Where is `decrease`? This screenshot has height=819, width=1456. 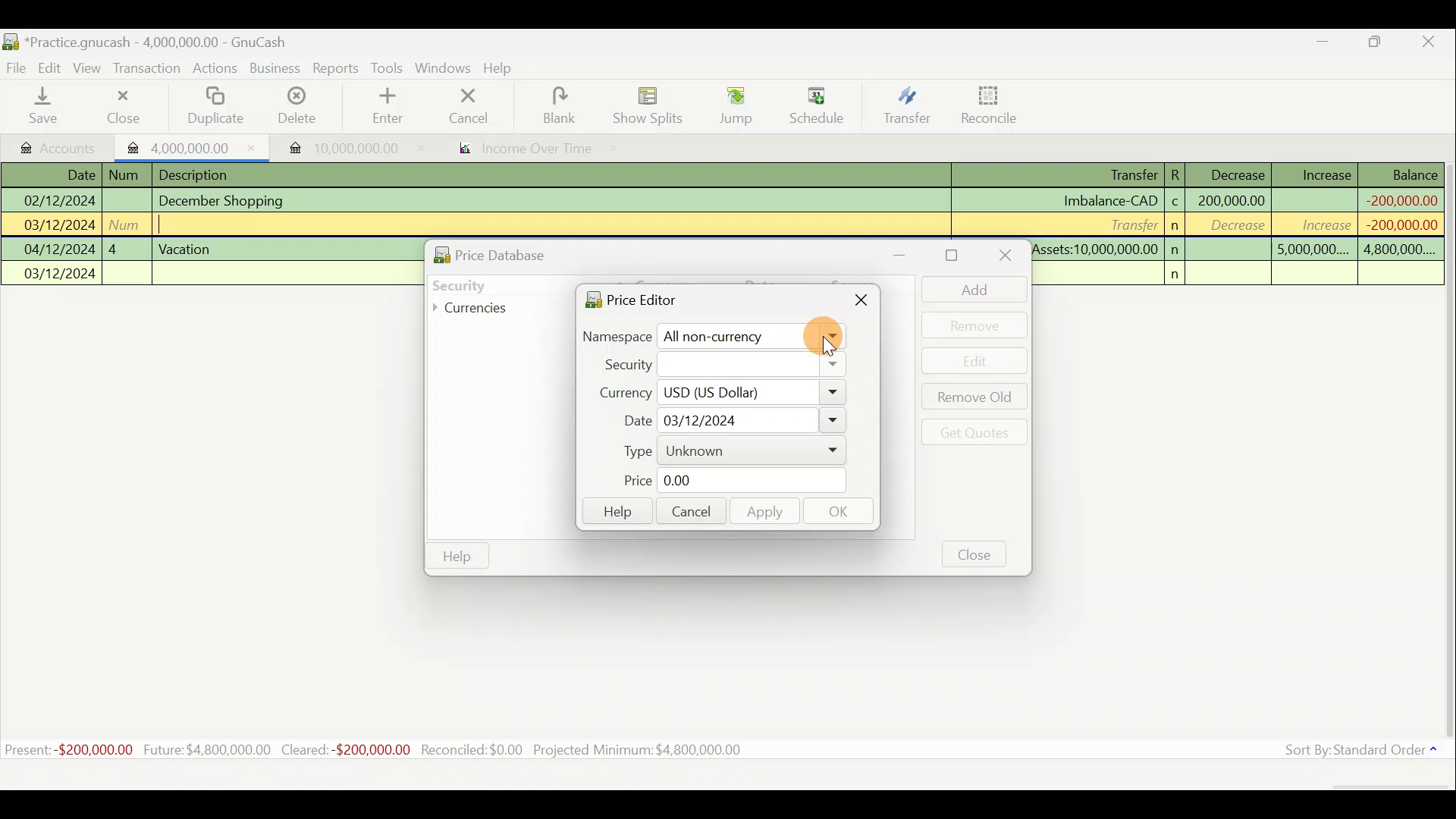
decrease is located at coordinates (1233, 227).